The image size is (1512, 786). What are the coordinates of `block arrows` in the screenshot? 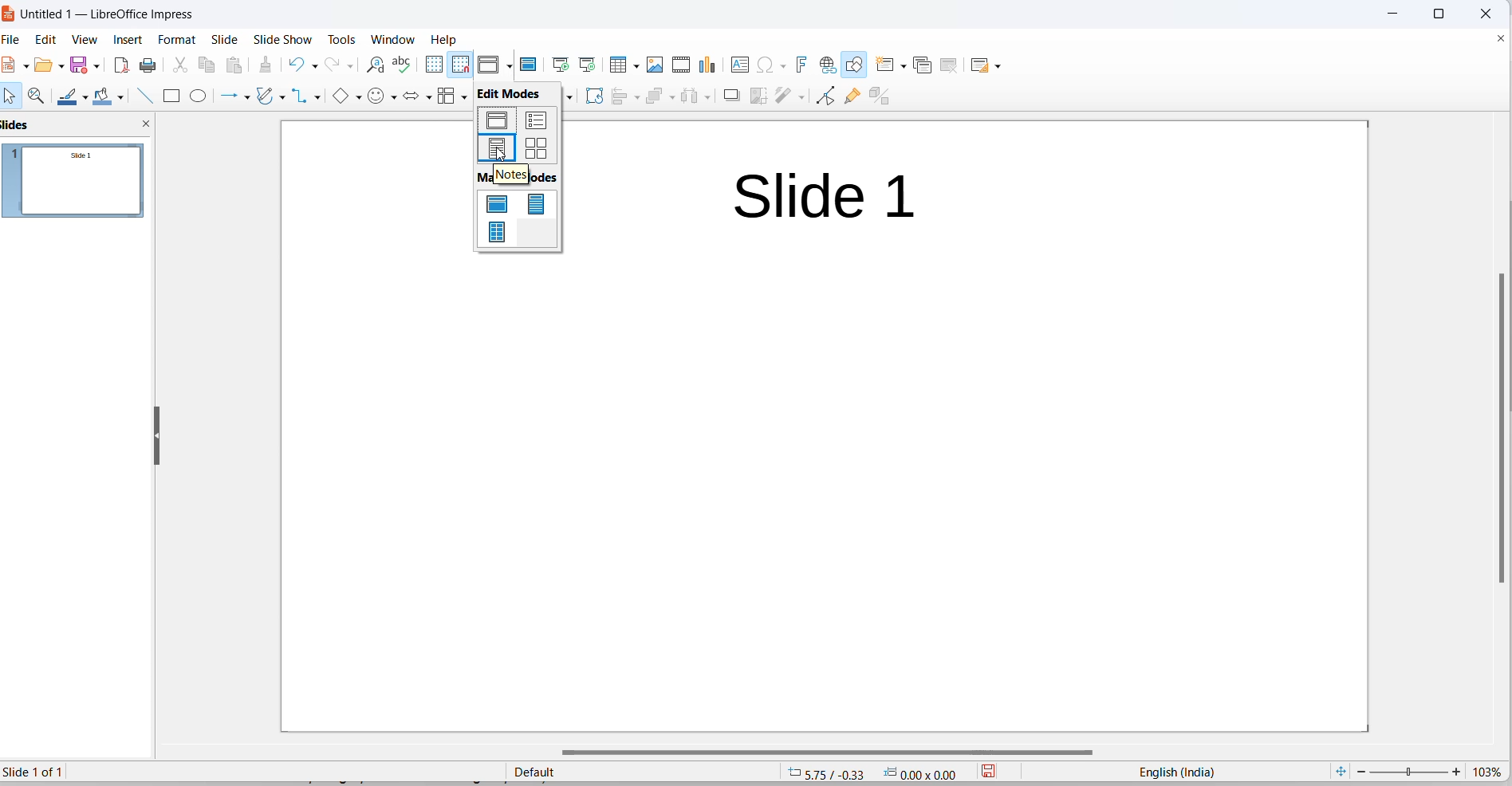 It's located at (413, 98).